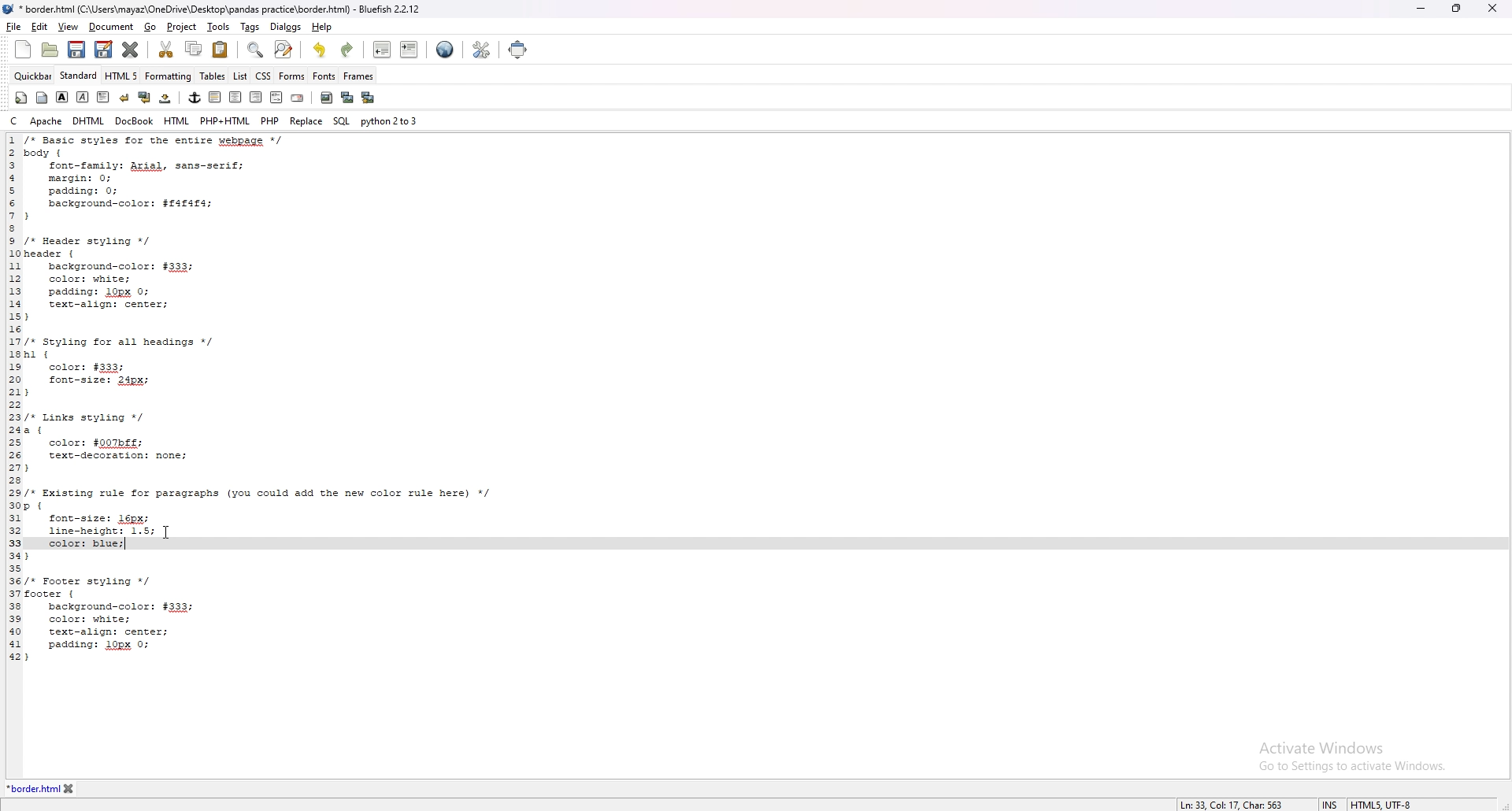 The width and height of the screenshot is (1512, 811). Describe the element at coordinates (192, 49) in the screenshot. I see `copy` at that location.